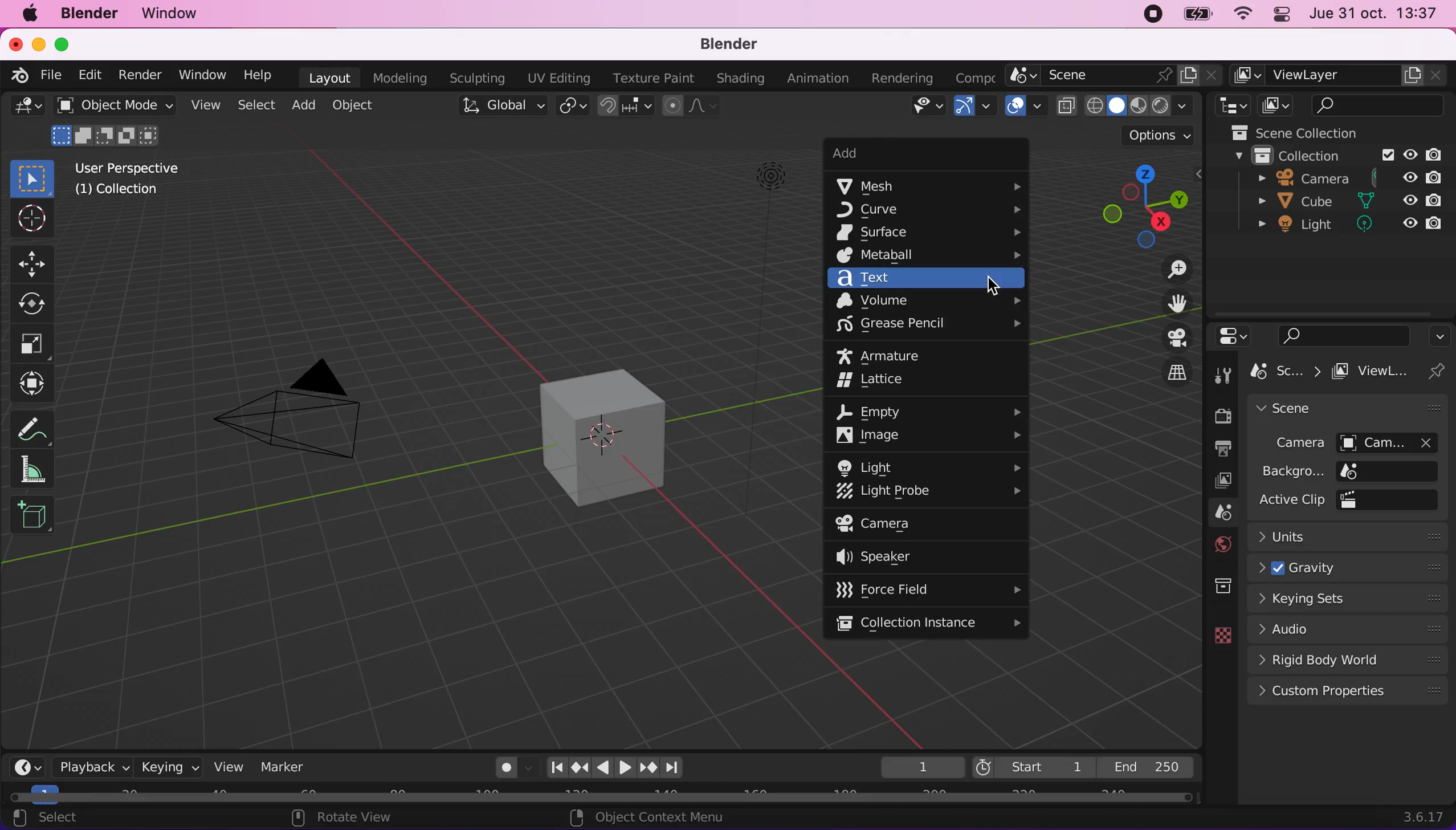  Describe the element at coordinates (572, 108) in the screenshot. I see `transform pivot point` at that location.